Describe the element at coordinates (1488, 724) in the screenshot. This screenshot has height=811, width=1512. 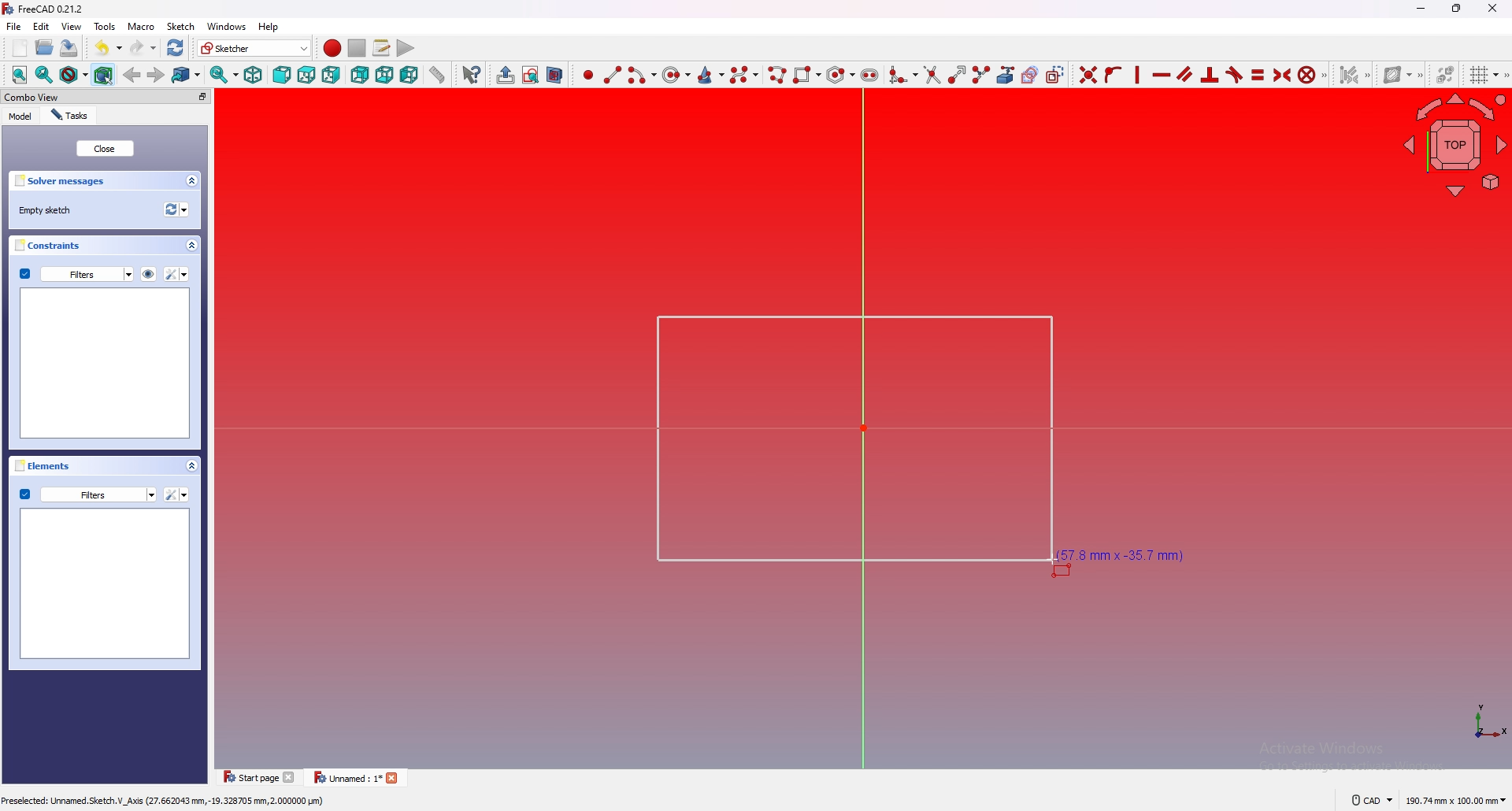
I see `axis` at that location.